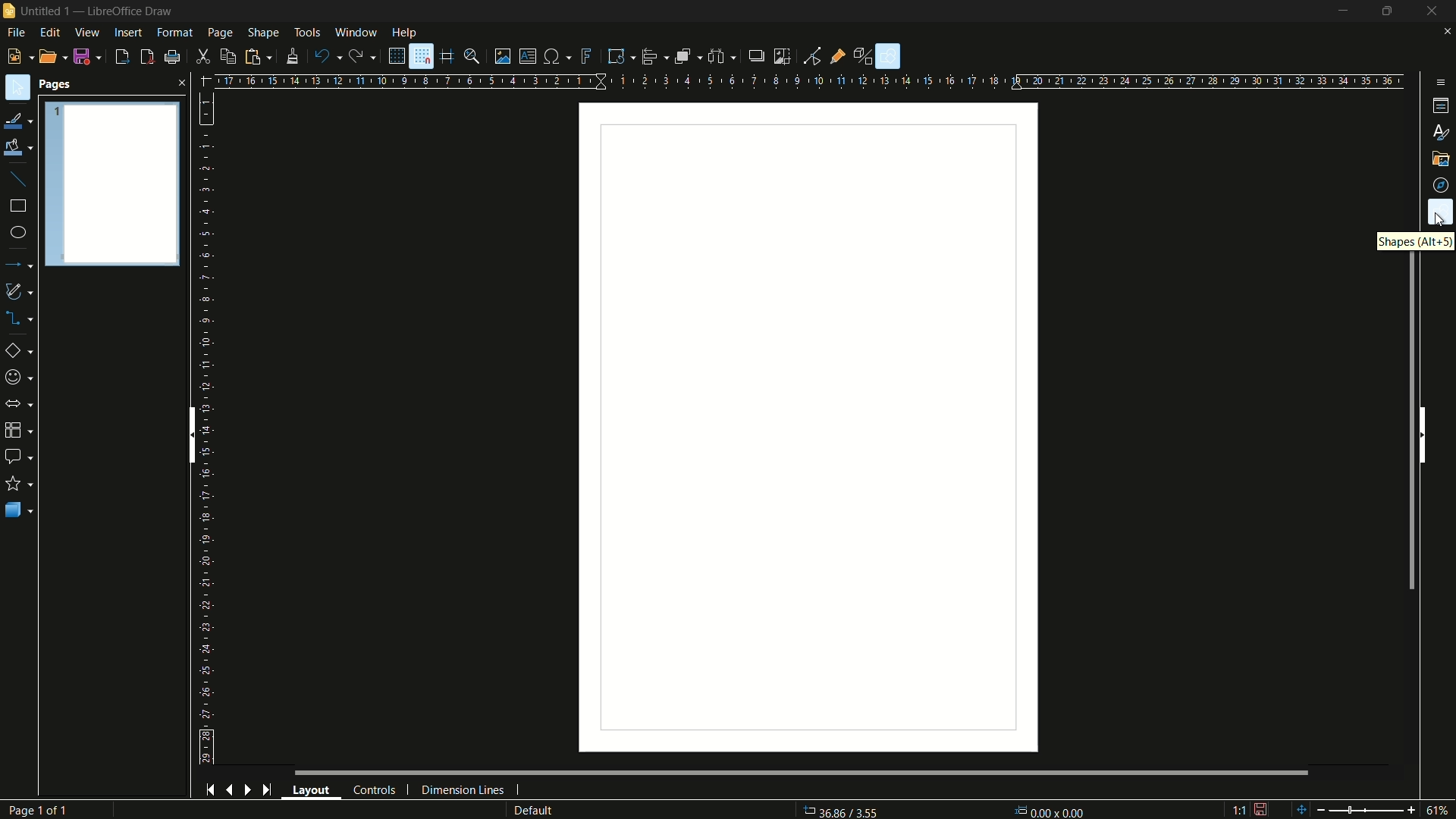  I want to click on properties, so click(1441, 106).